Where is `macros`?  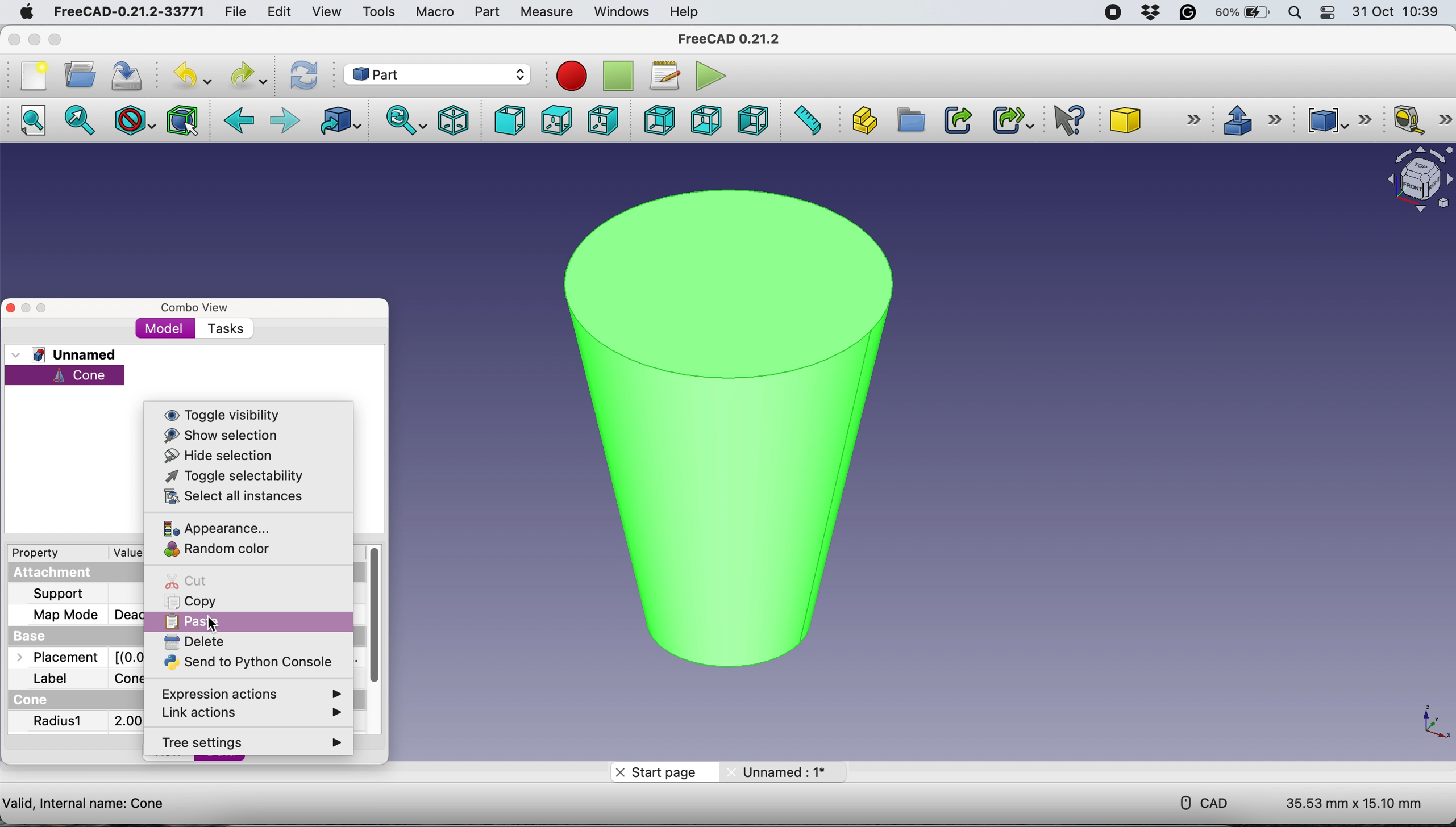 macros is located at coordinates (664, 73).